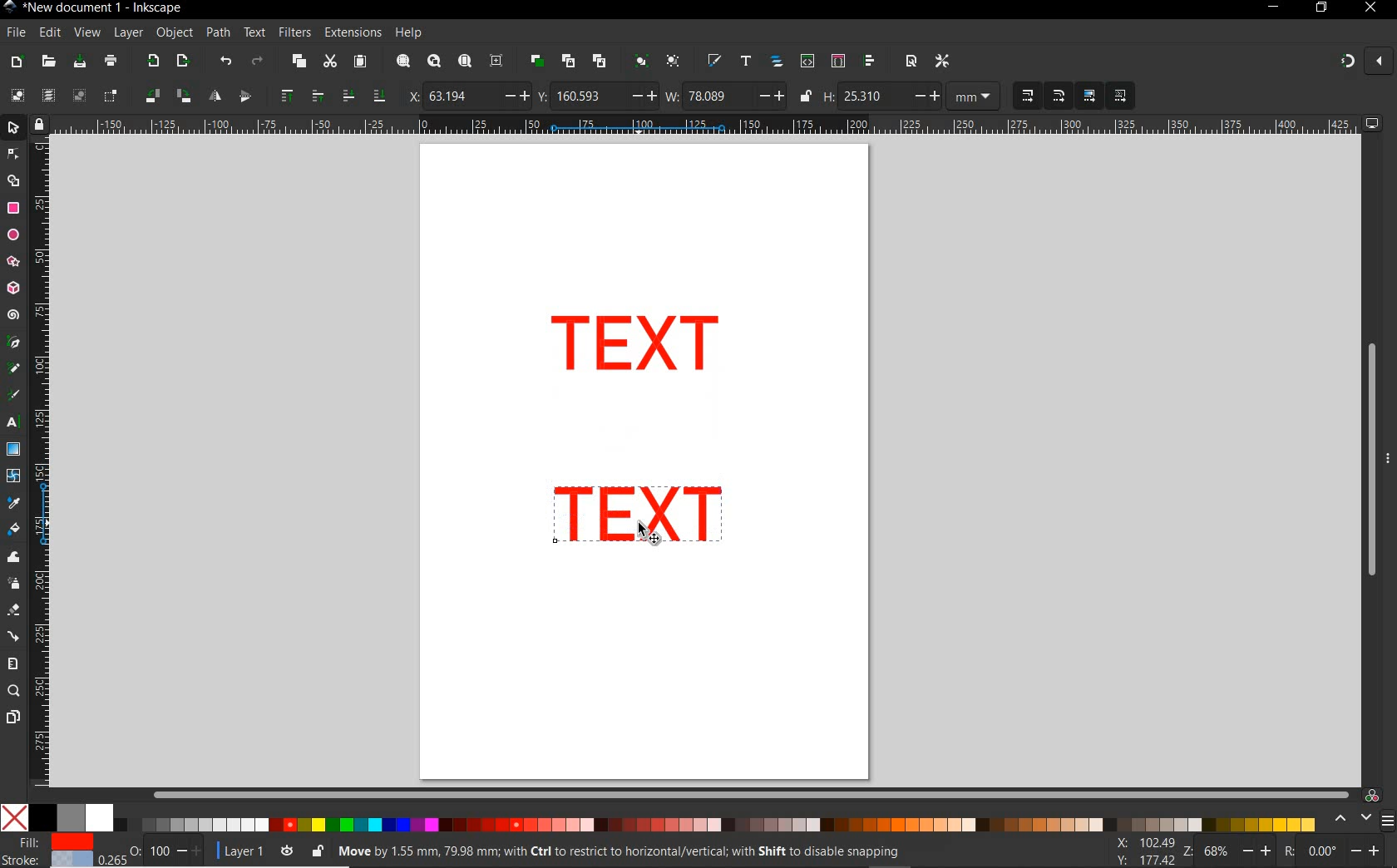  Describe the element at coordinates (225, 62) in the screenshot. I see `undo` at that location.